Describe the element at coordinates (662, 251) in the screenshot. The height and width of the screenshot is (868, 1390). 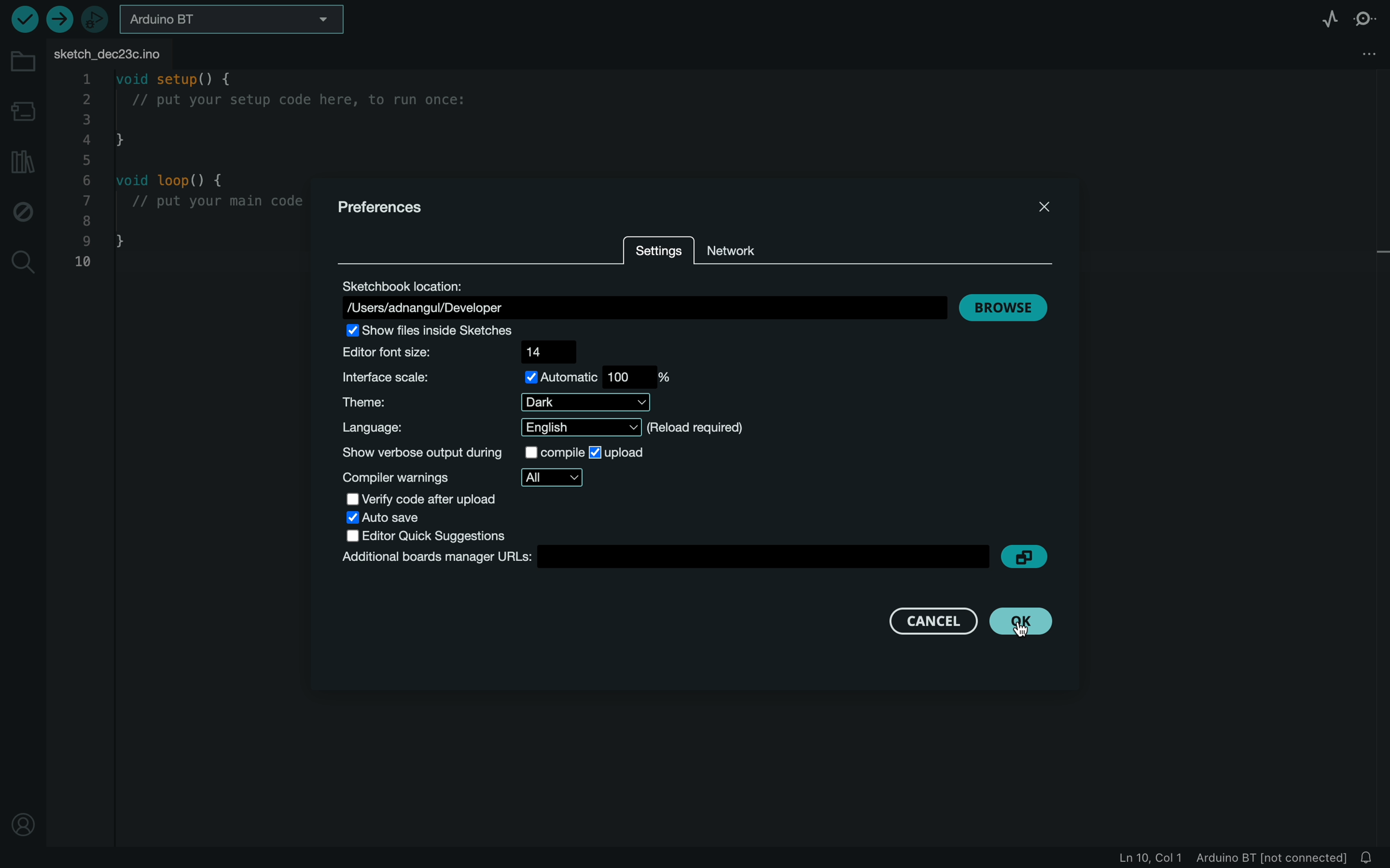
I see `settings` at that location.